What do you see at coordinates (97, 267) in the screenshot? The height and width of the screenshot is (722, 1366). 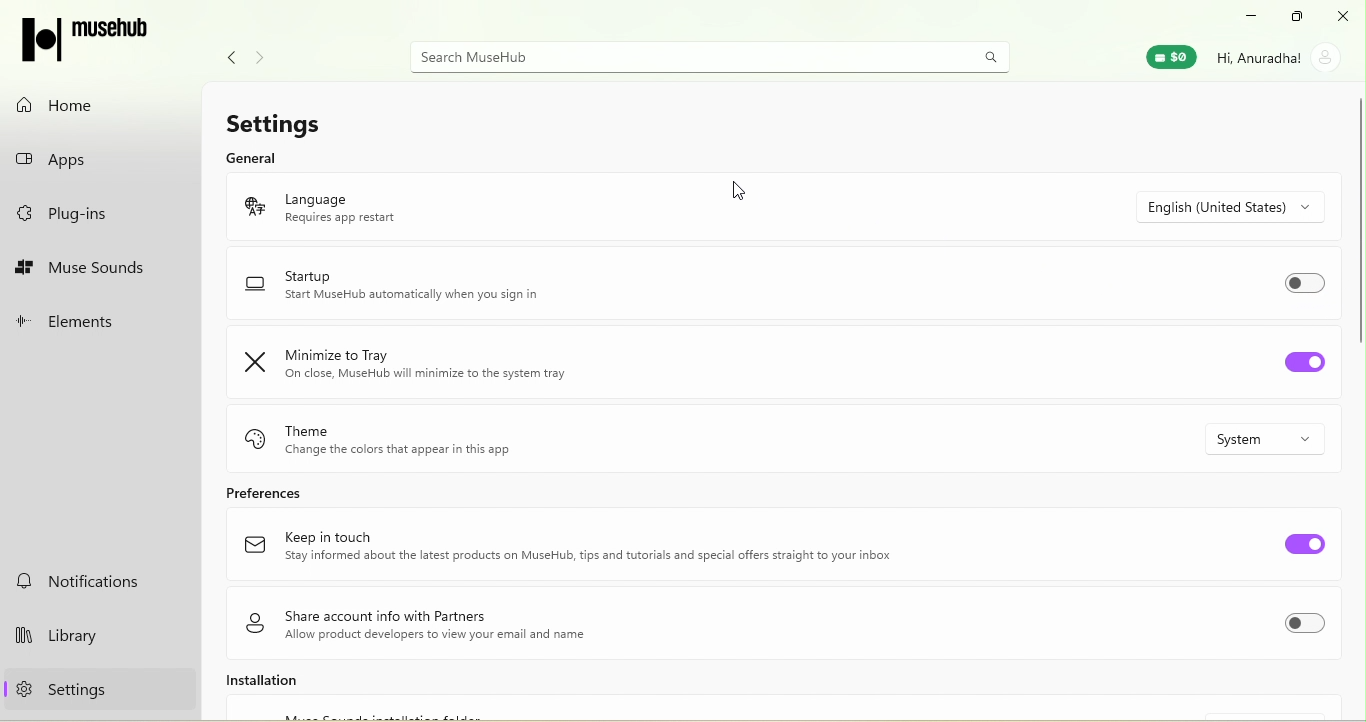 I see `muse sounds` at bounding box center [97, 267].